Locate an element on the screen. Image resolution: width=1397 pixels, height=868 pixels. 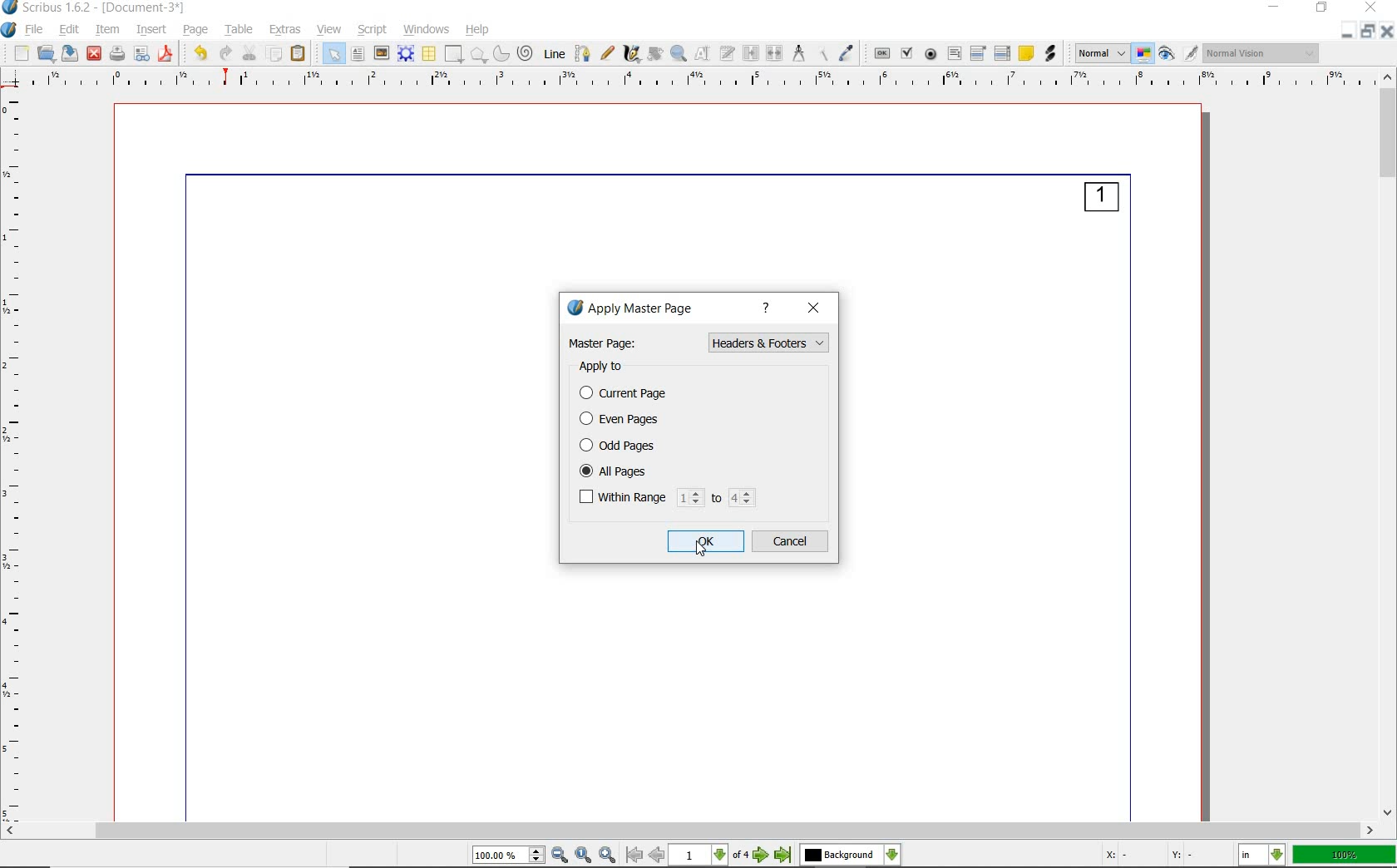
Bezier curve is located at coordinates (582, 53).